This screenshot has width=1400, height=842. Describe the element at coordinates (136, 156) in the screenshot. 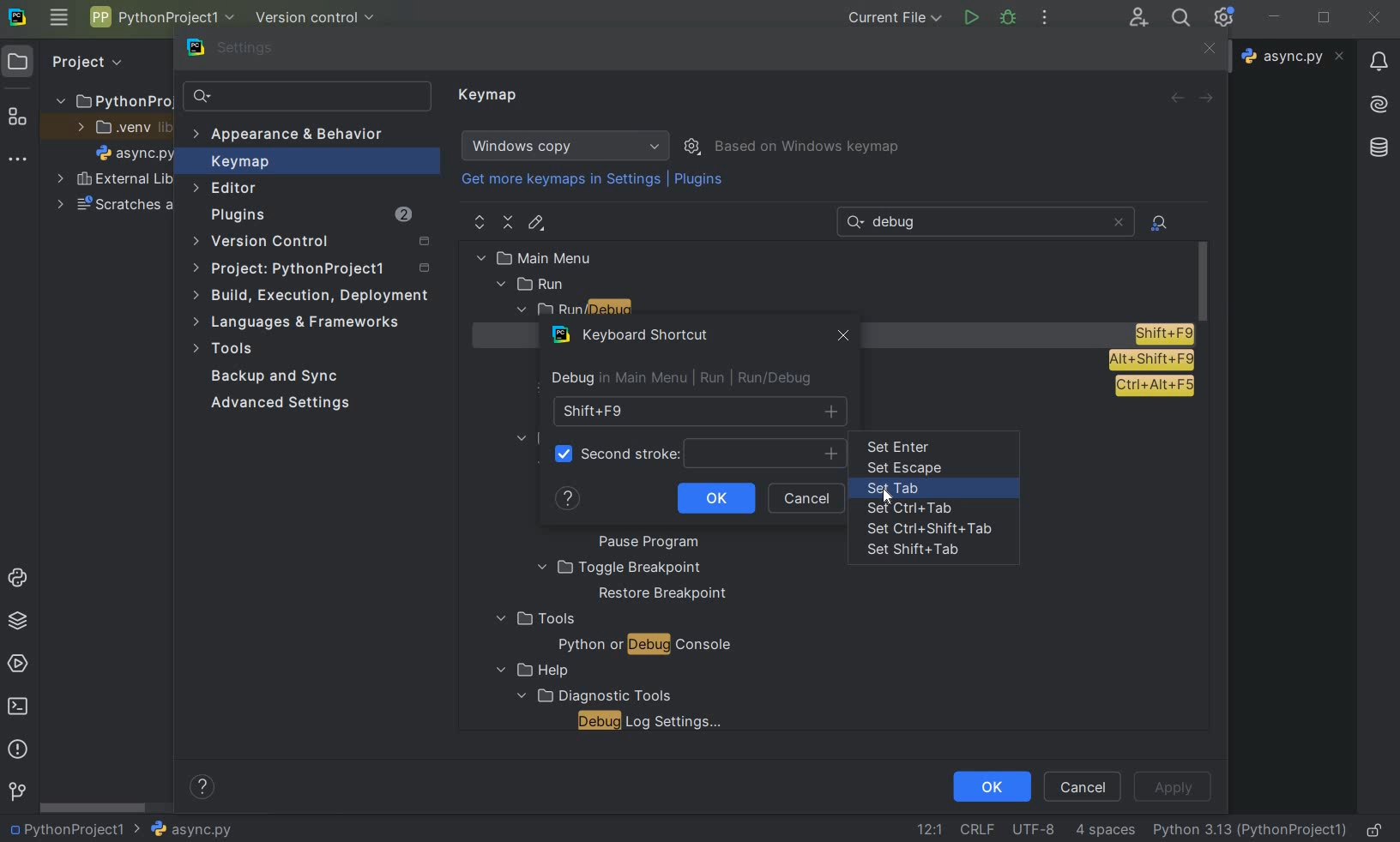

I see `file name` at that location.